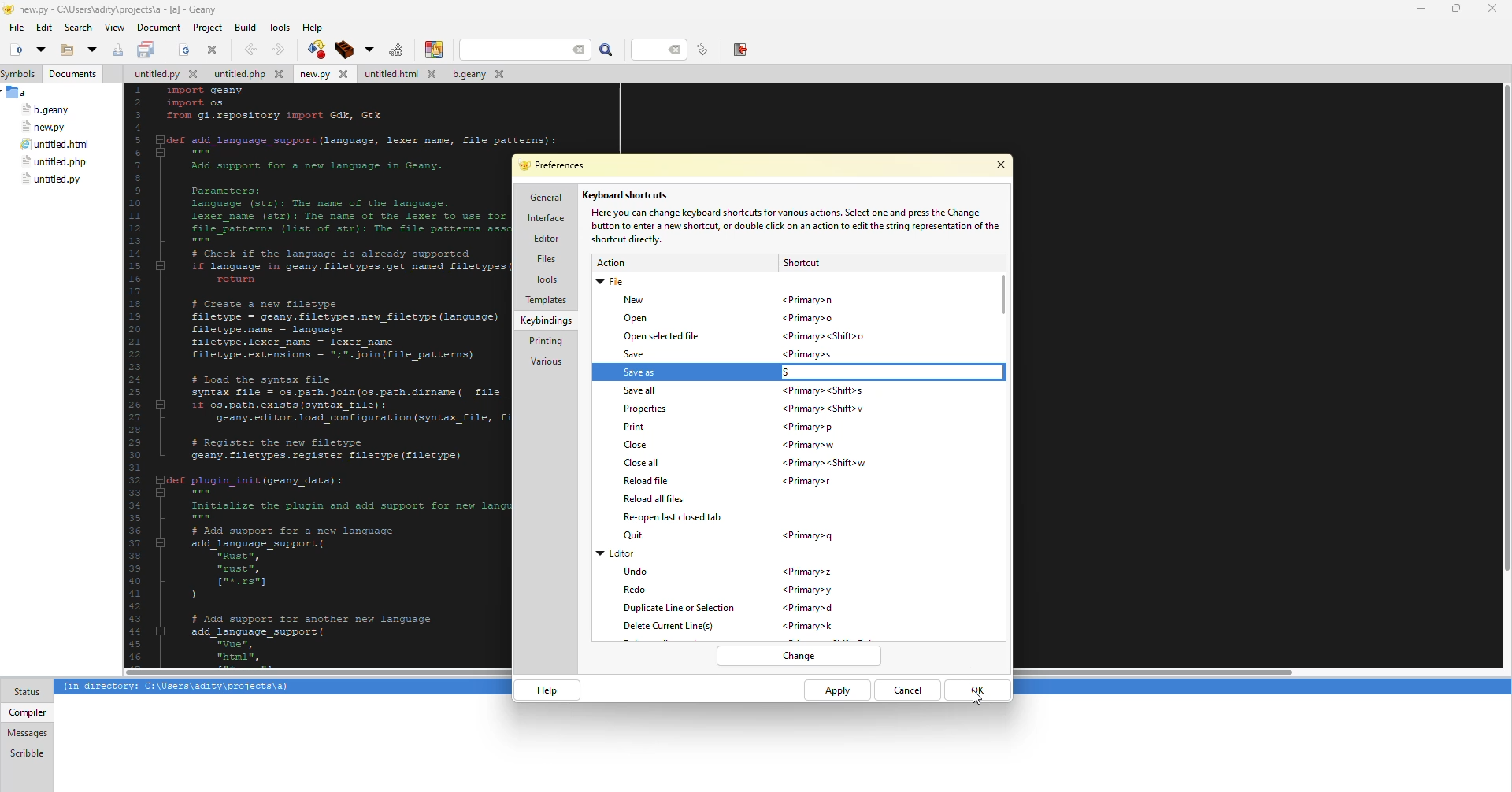 The width and height of the screenshot is (1512, 792). Describe the element at coordinates (207, 28) in the screenshot. I see `project` at that location.